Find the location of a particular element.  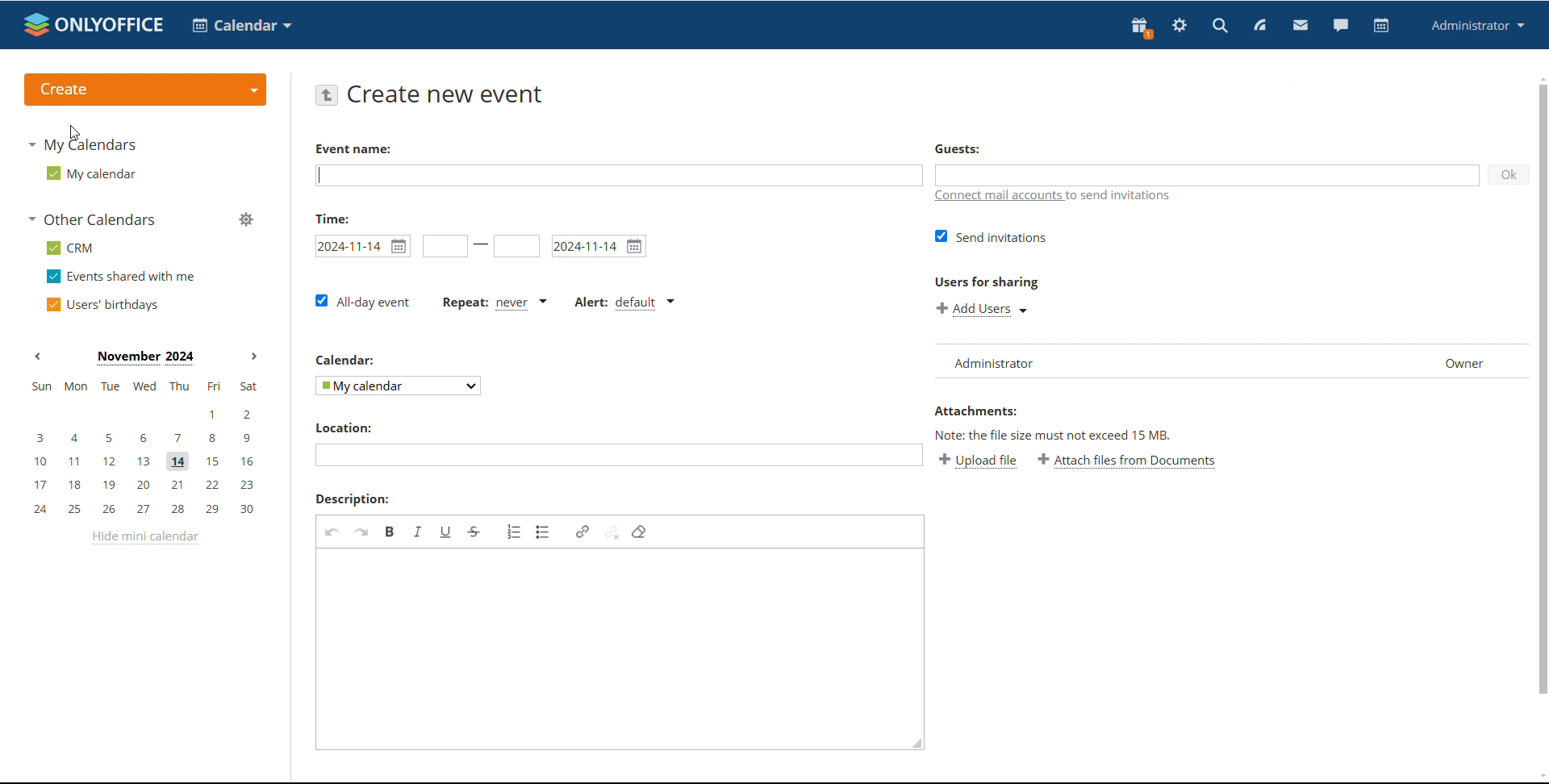

set start time is located at coordinates (445, 246).